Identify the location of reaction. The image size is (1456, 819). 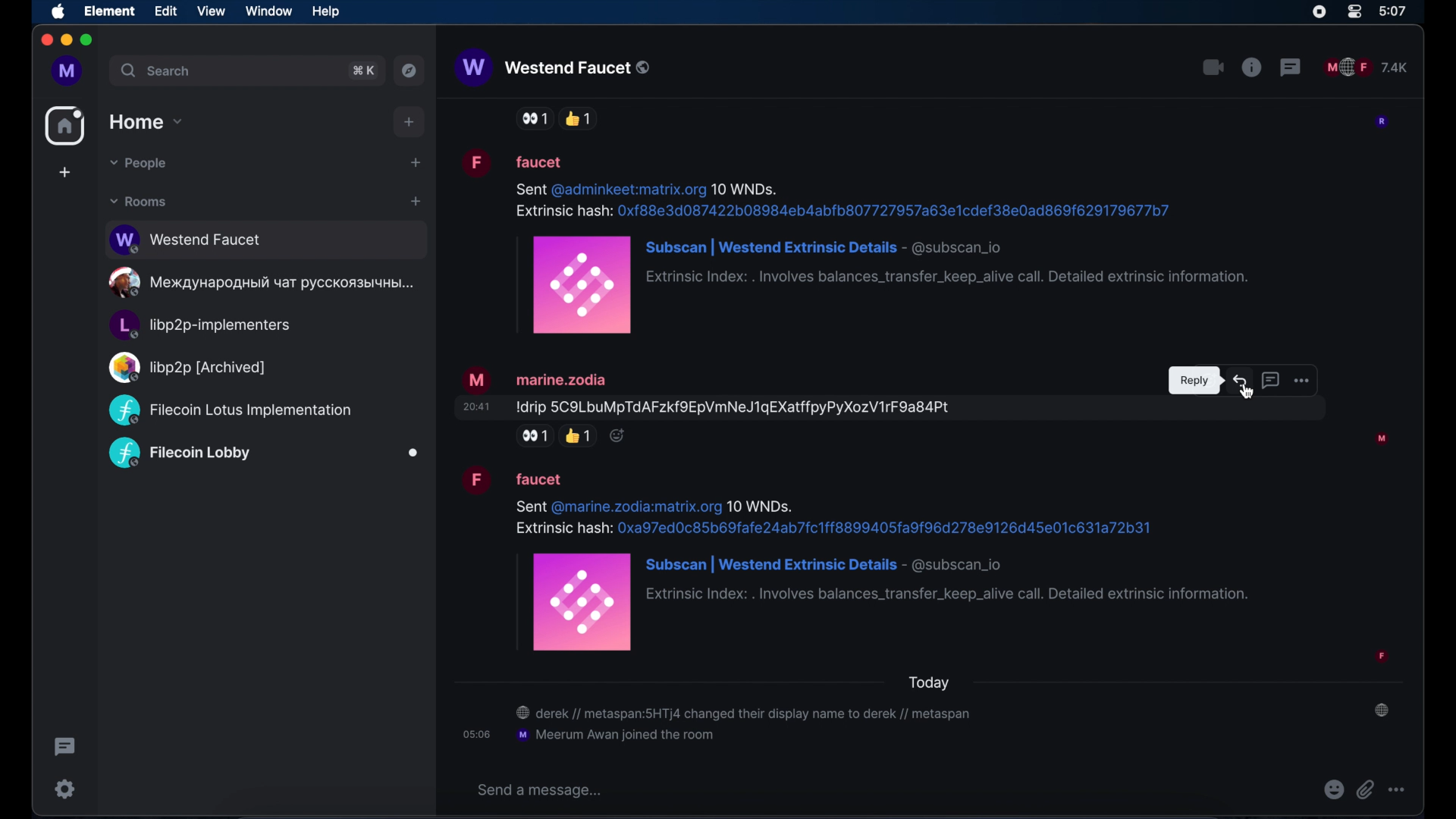
(618, 436).